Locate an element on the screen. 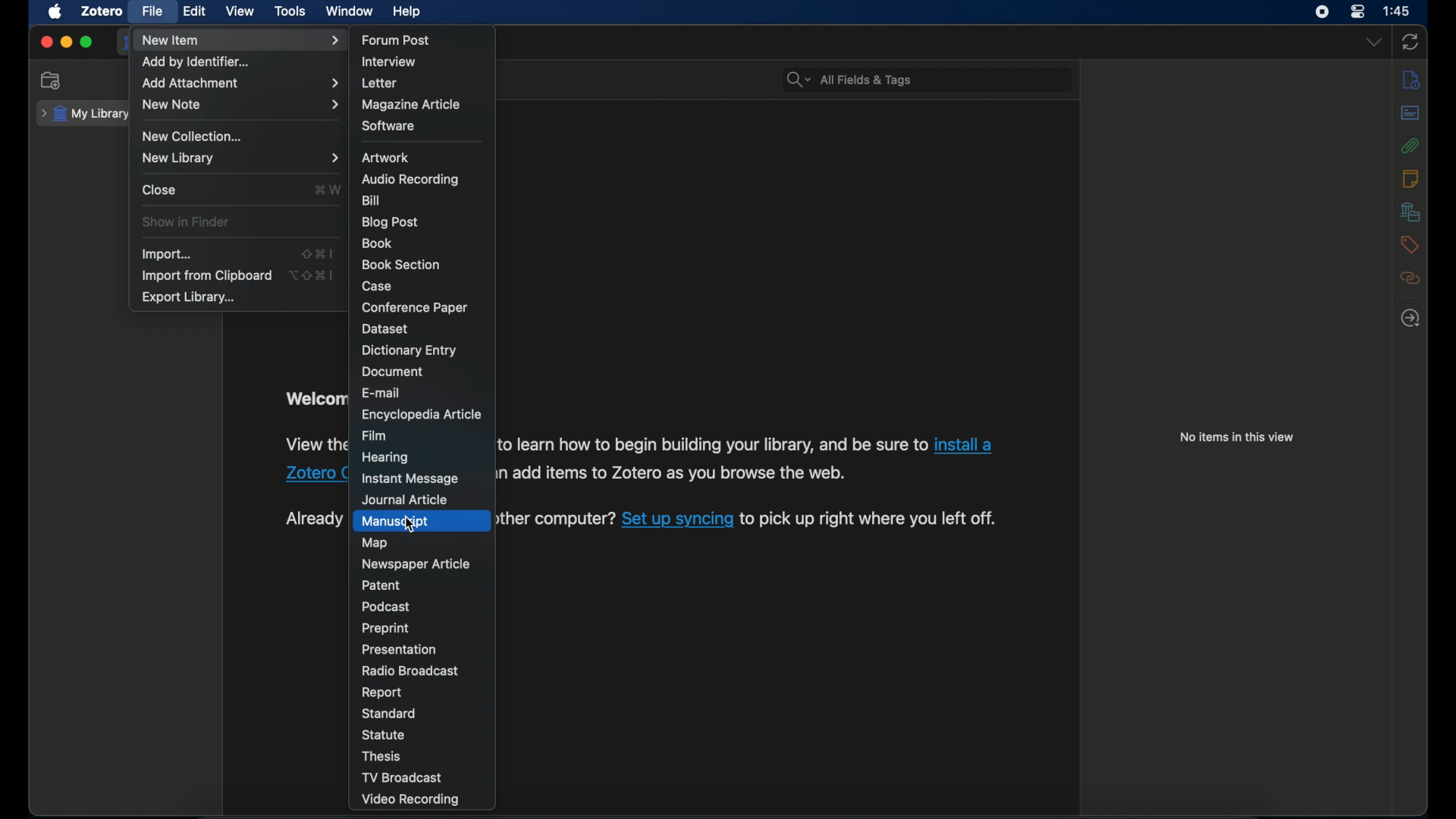  dictionary entry is located at coordinates (410, 350).